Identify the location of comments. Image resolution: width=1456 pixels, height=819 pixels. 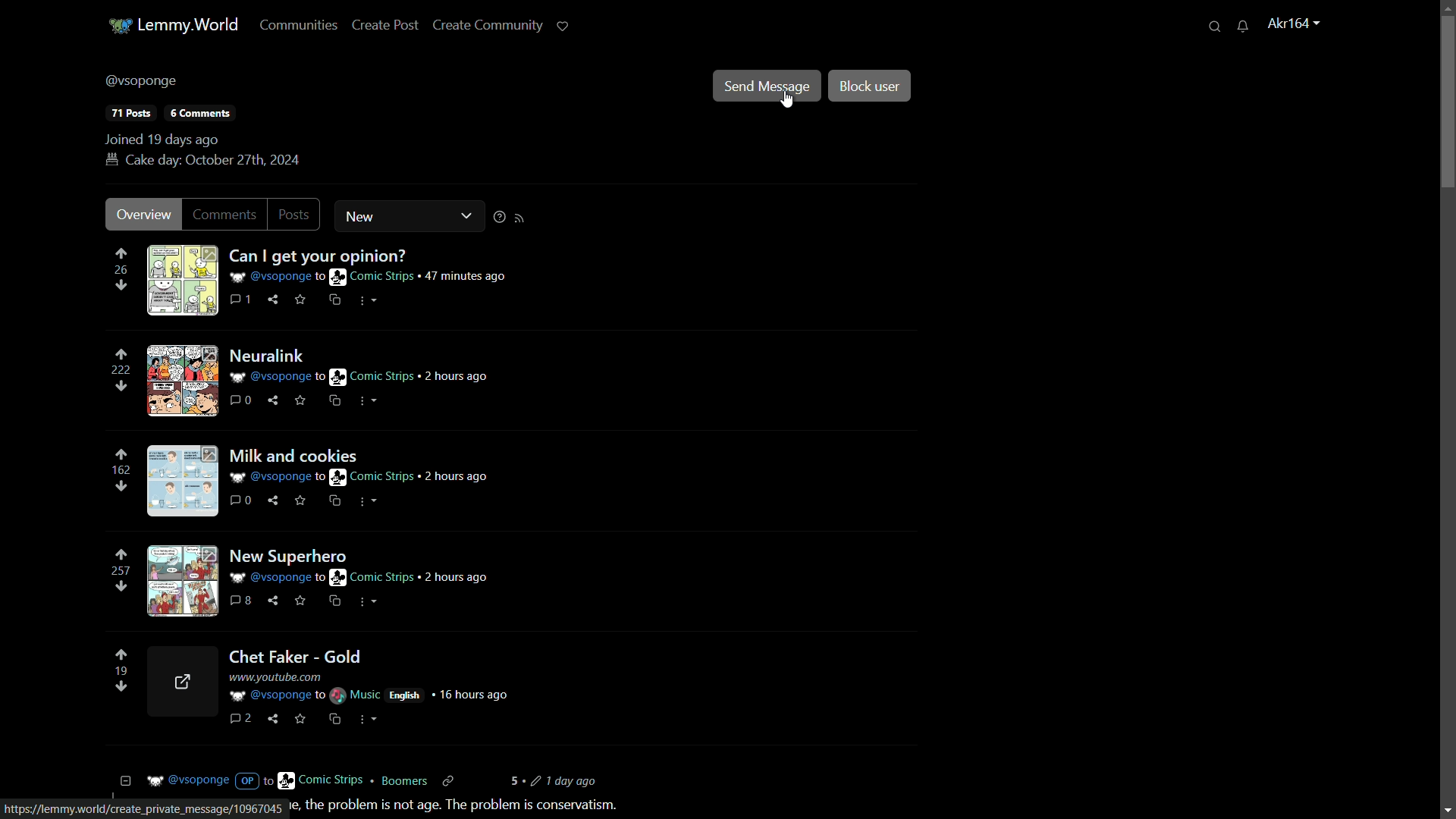
(241, 399).